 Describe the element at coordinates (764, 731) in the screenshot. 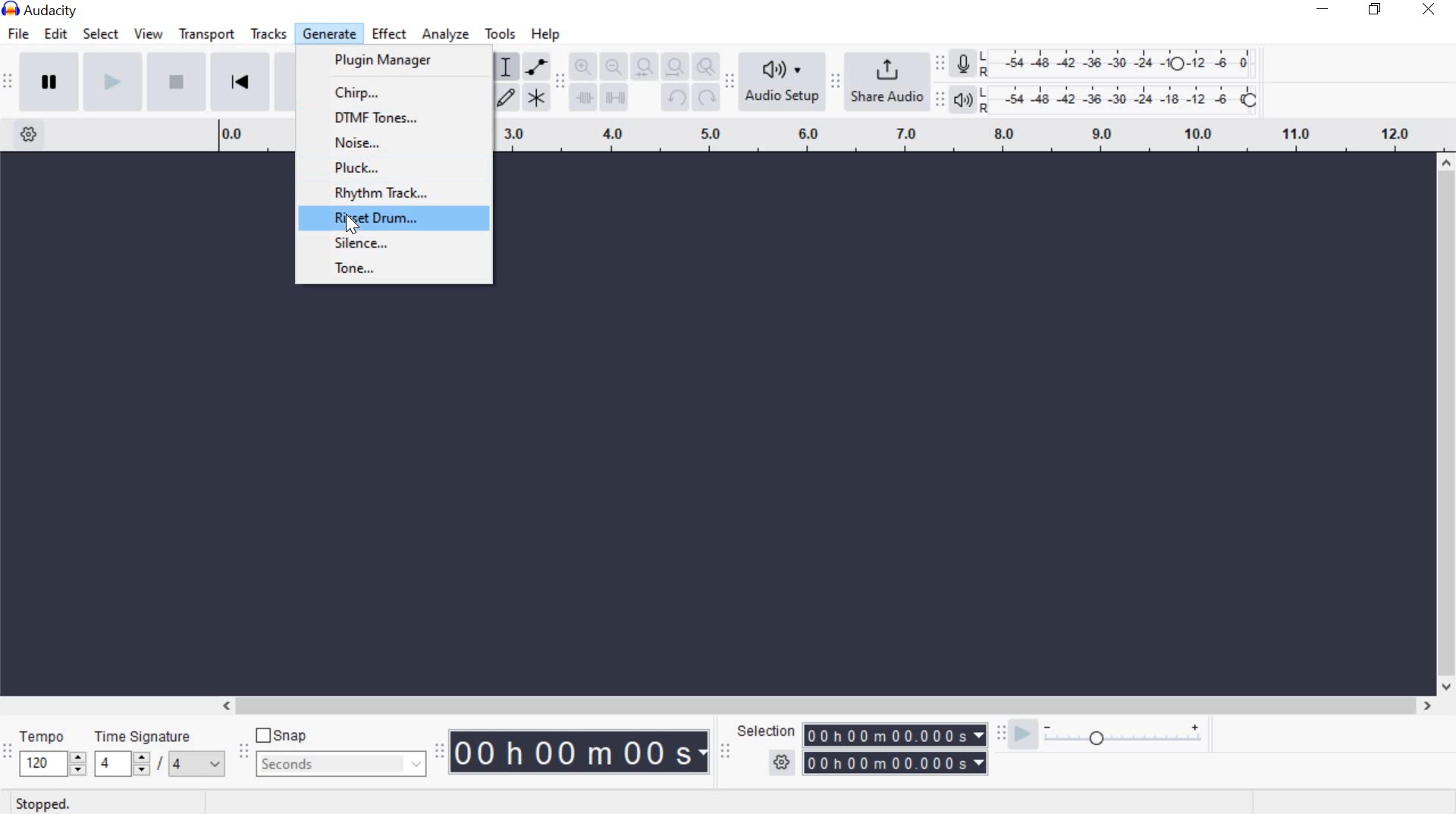

I see `selection` at that location.